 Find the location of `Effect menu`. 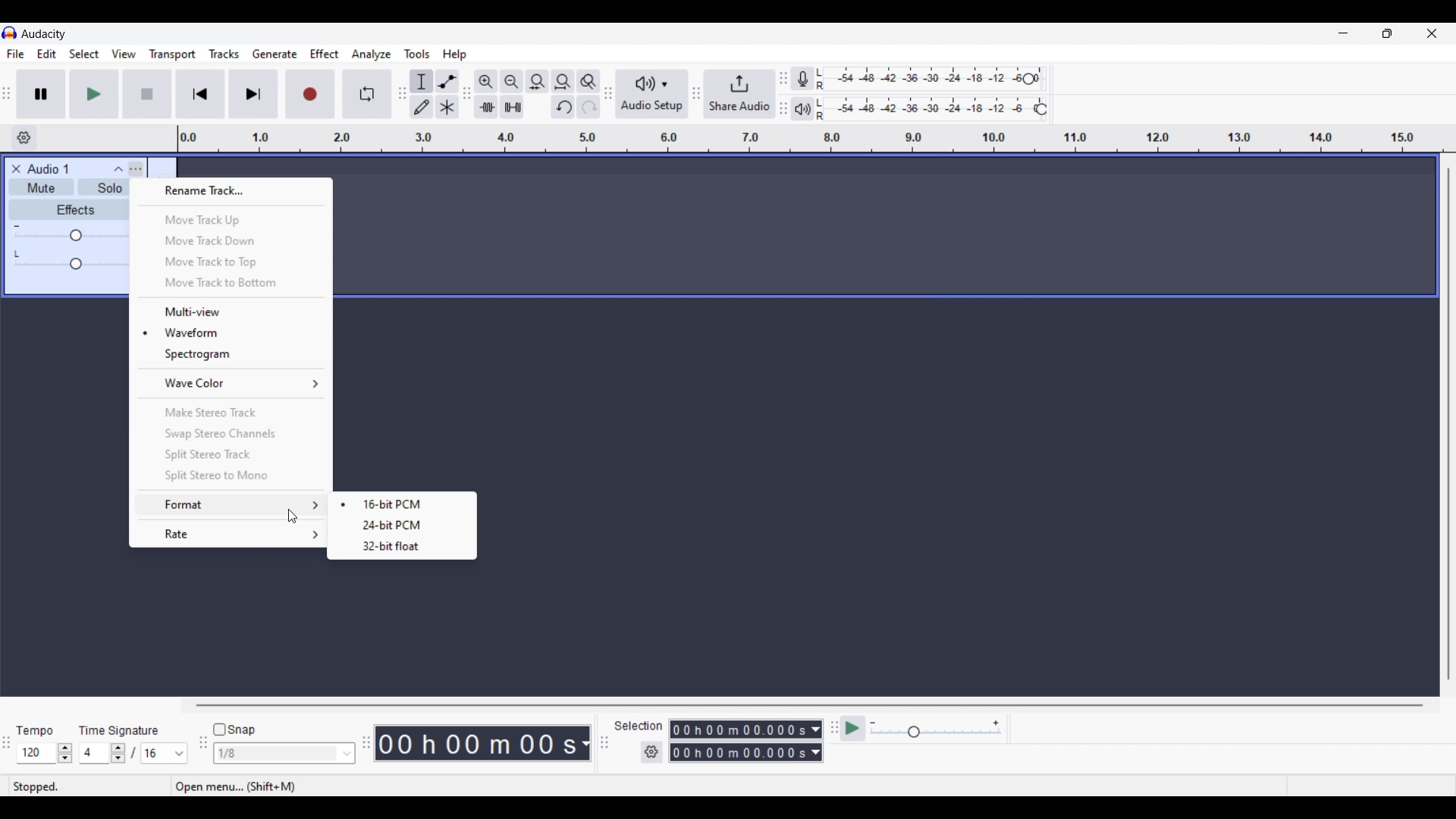

Effect menu is located at coordinates (325, 54).